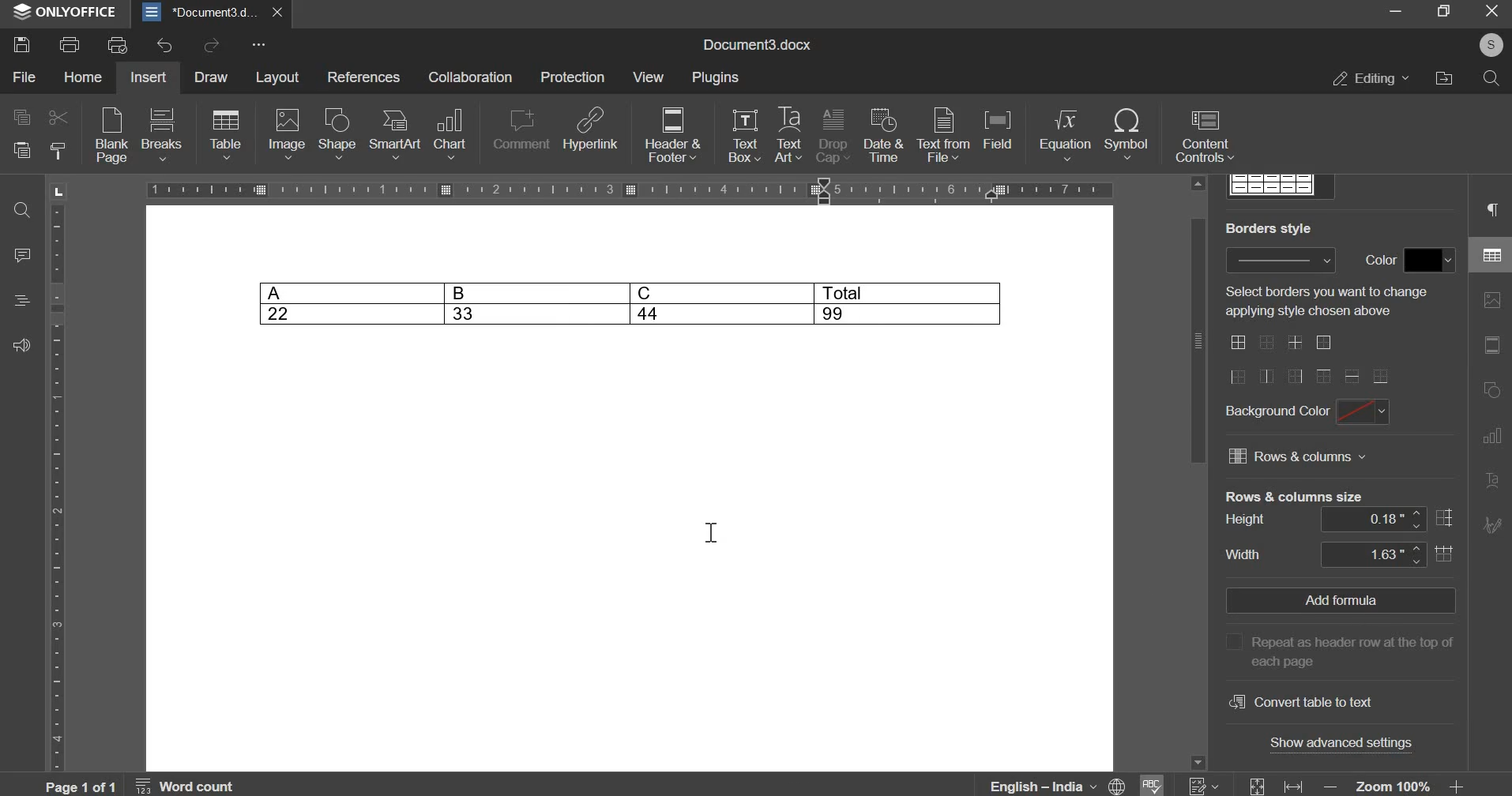 This screenshot has height=796, width=1512. Describe the element at coordinates (1063, 135) in the screenshot. I see `equation` at that location.